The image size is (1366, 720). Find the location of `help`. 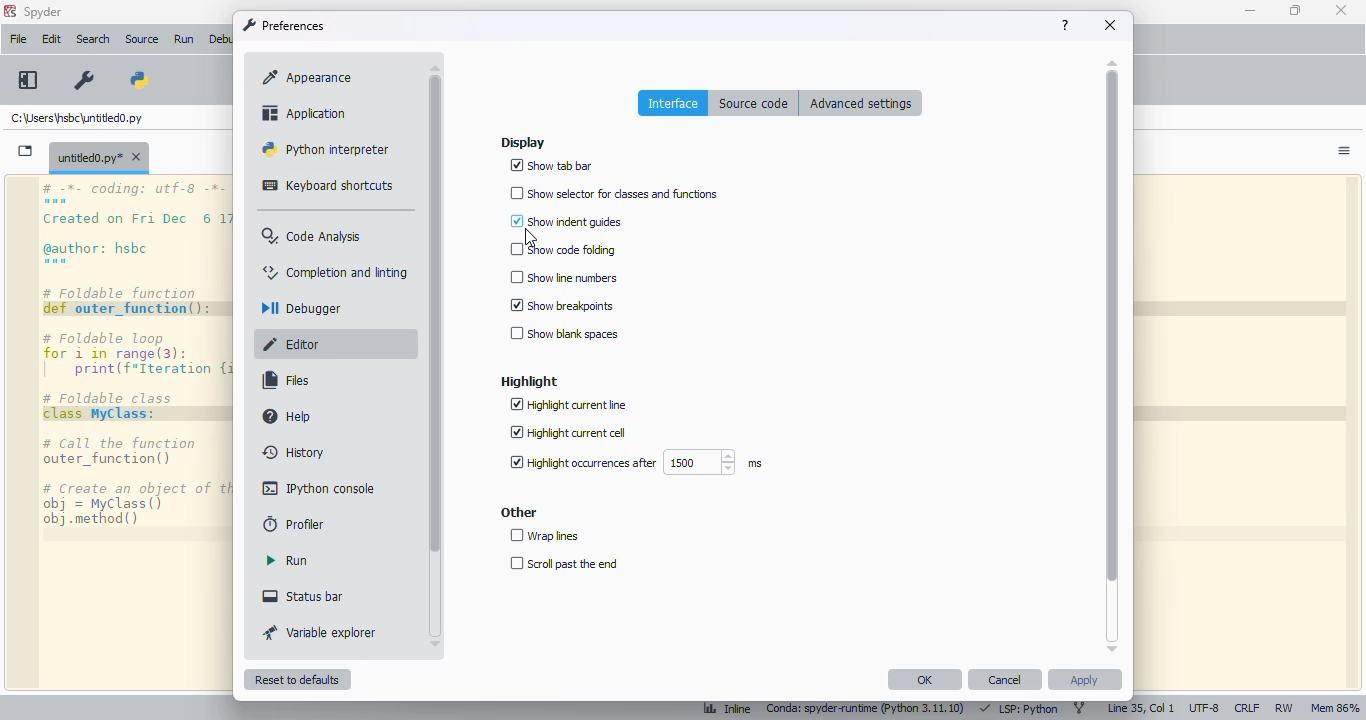

help is located at coordinates (1065, 25).